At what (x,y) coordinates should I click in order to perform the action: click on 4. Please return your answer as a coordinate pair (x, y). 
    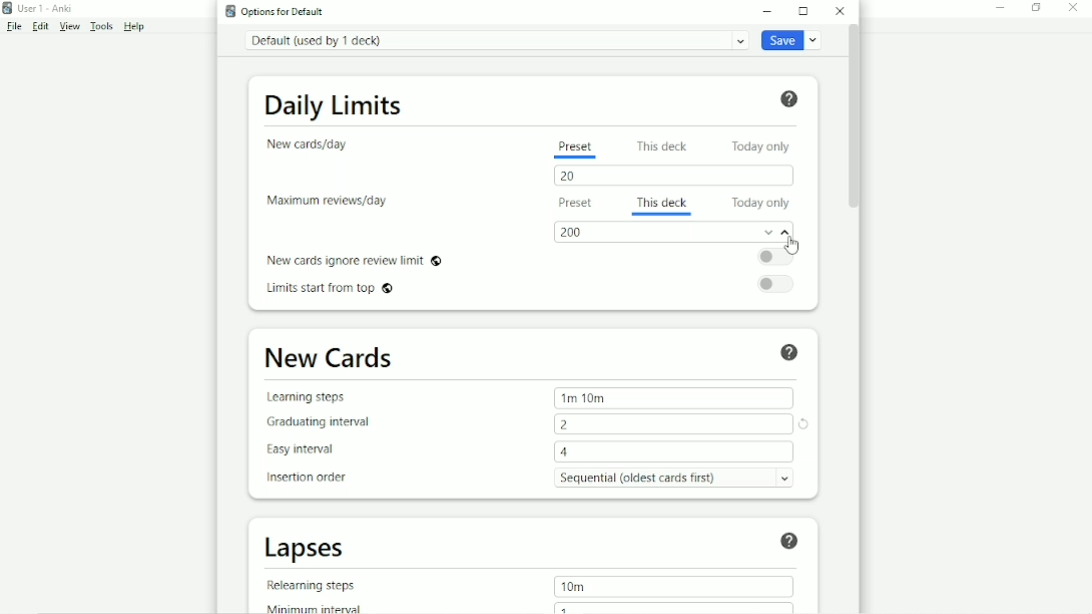
    Looking at the image, I should click on (567, 452).